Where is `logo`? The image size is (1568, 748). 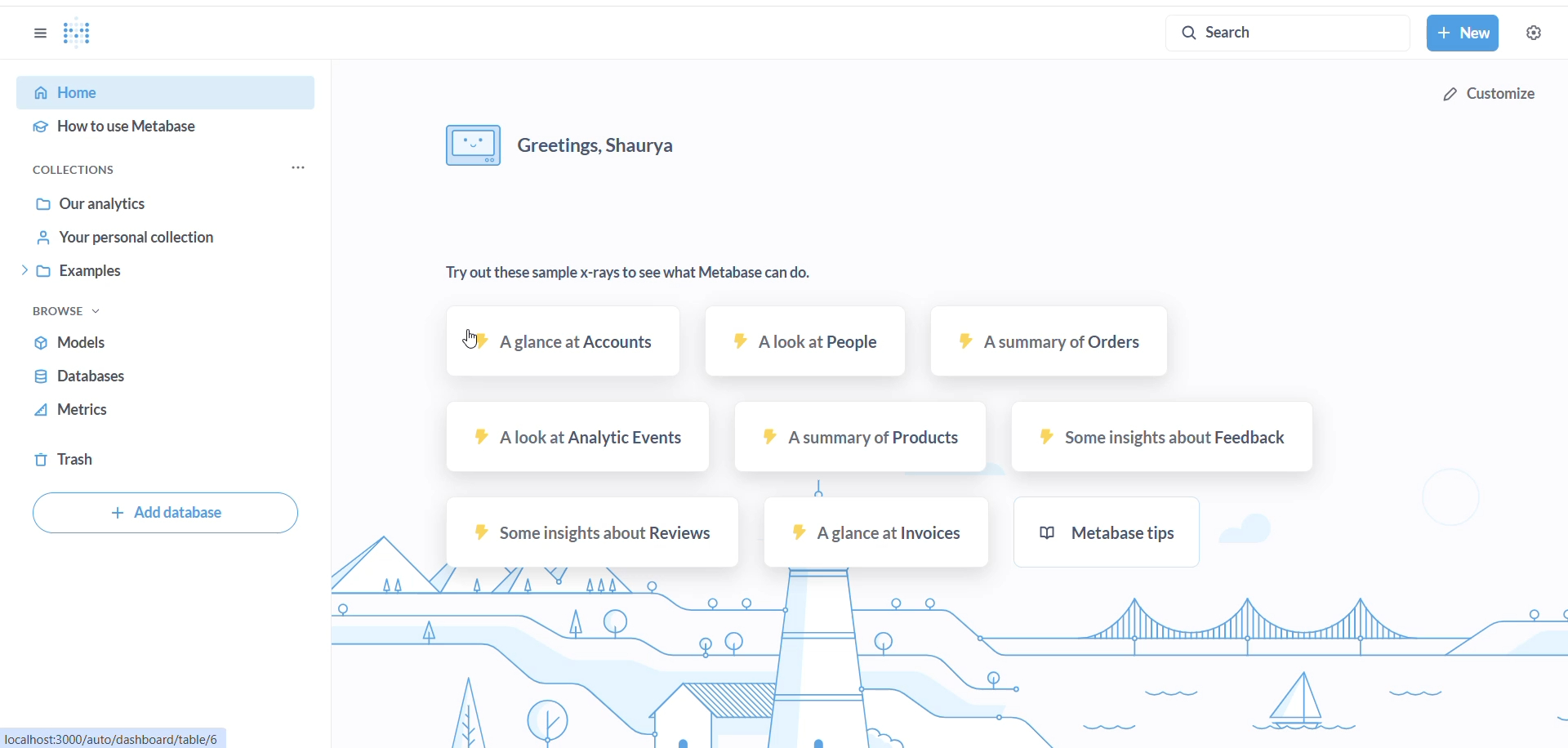 logo is located at coordinates (81, 35).